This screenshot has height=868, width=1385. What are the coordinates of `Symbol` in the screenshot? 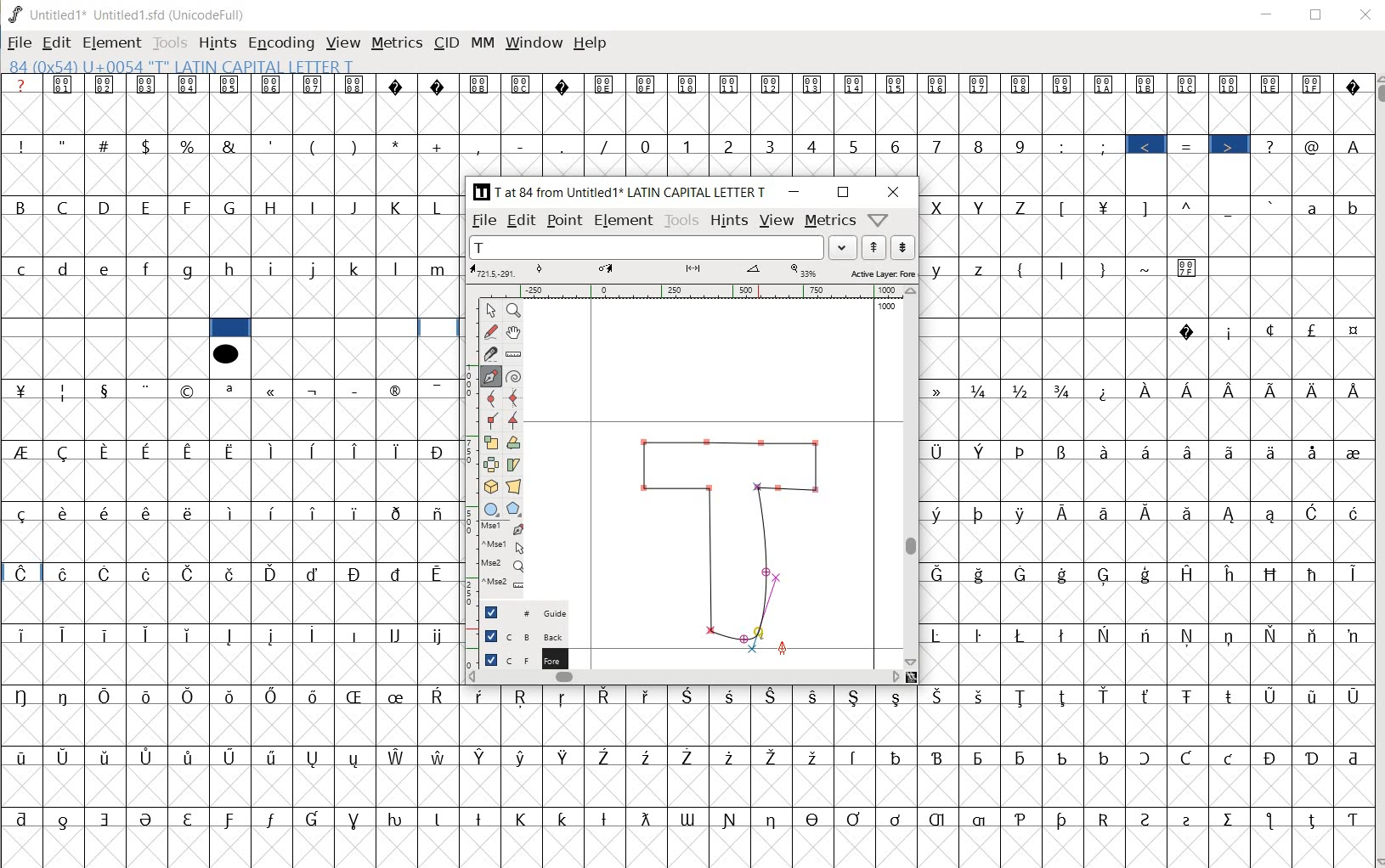 It's located at (21, 756).